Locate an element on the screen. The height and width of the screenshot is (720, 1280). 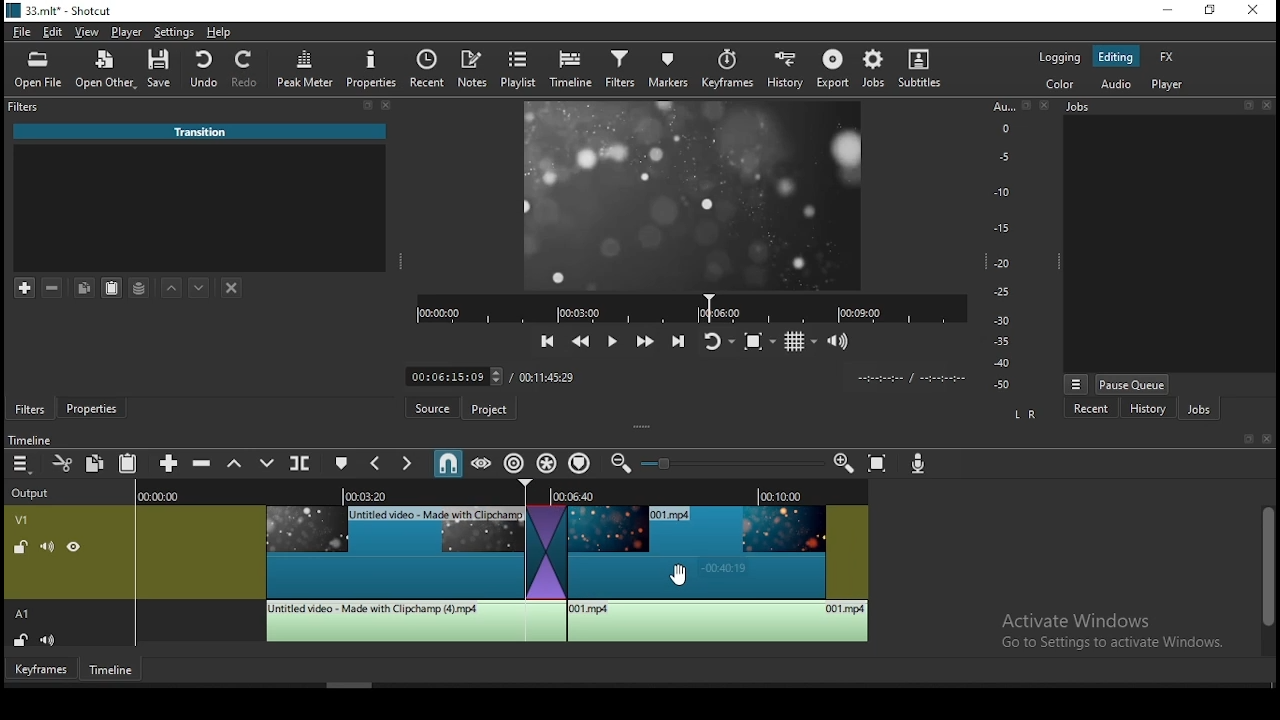
video track is located at coordinates (26, 519).